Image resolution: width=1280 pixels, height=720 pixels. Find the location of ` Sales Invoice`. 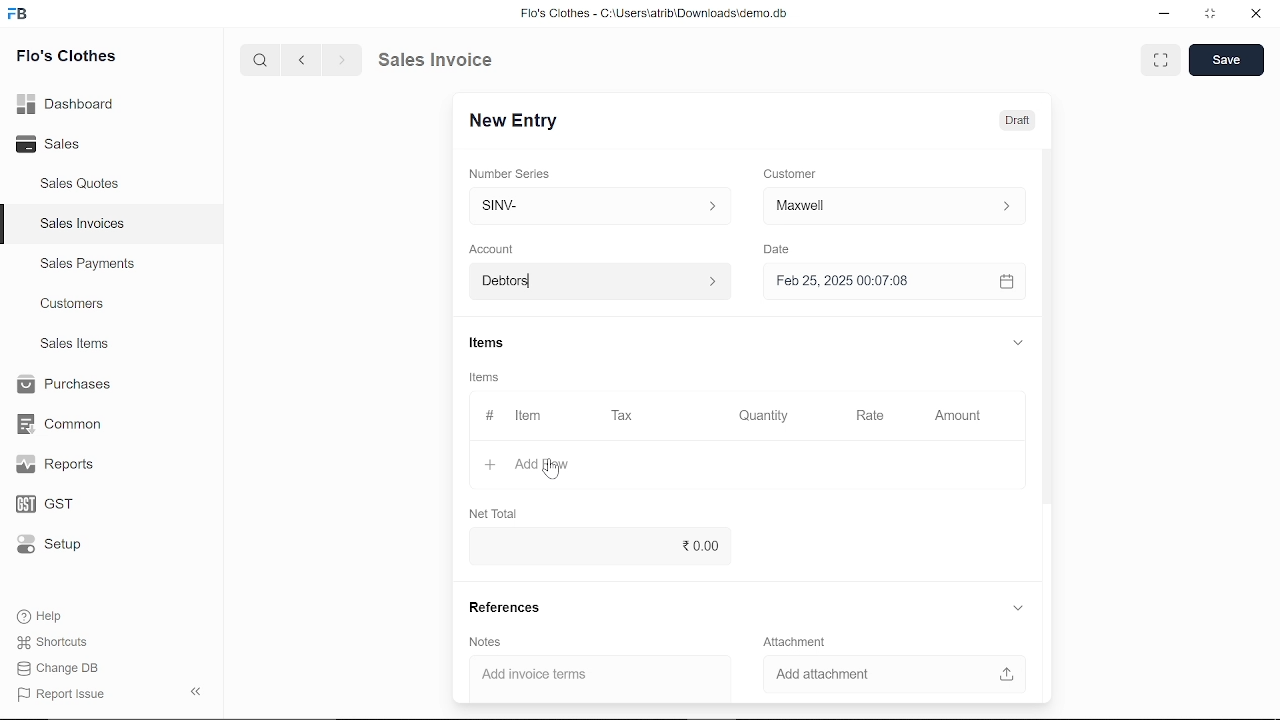

 Sales Invoice is located at coordinates (446, 61).